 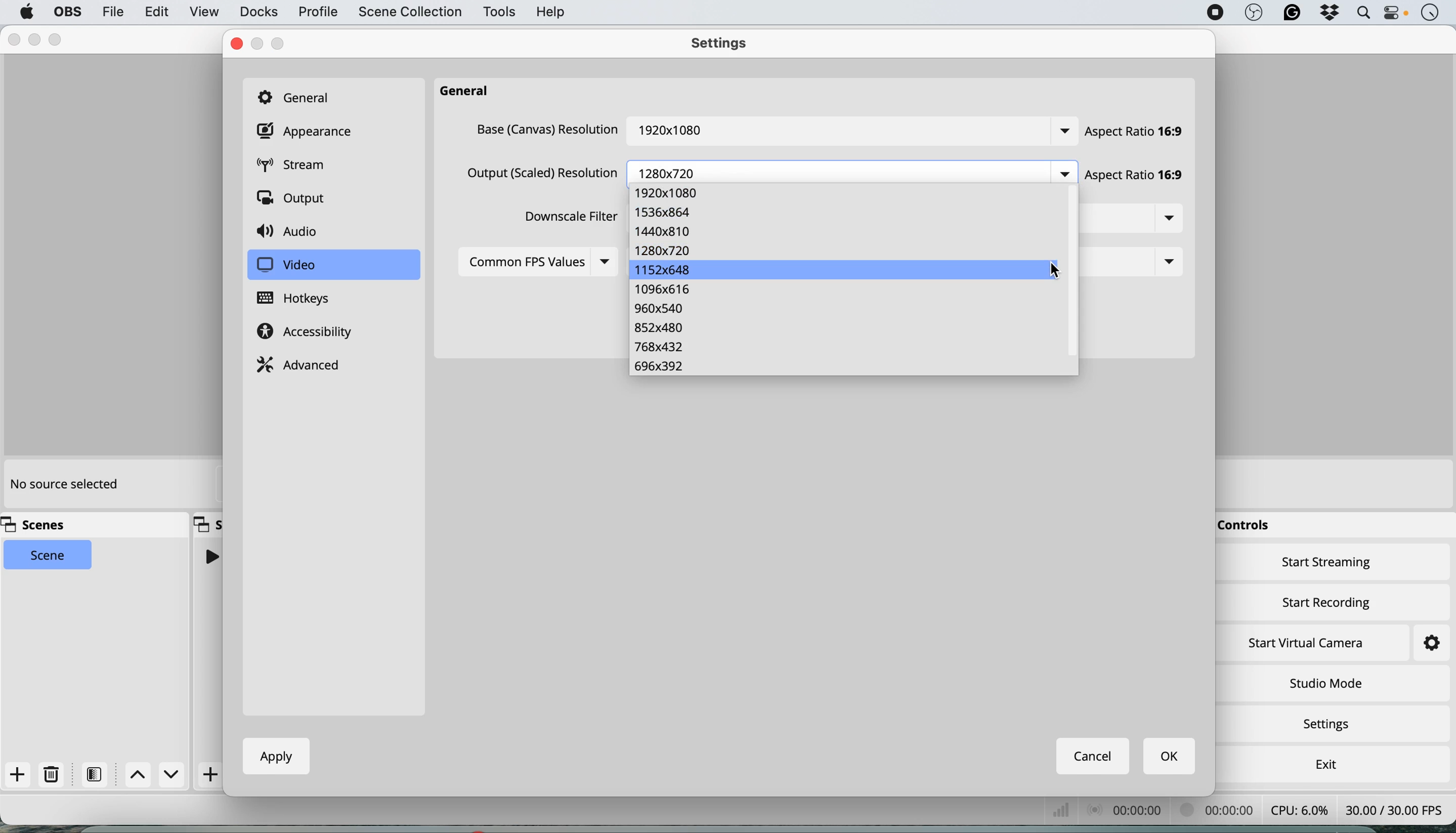 I want to click on advanced, so click(x=301, y=363).